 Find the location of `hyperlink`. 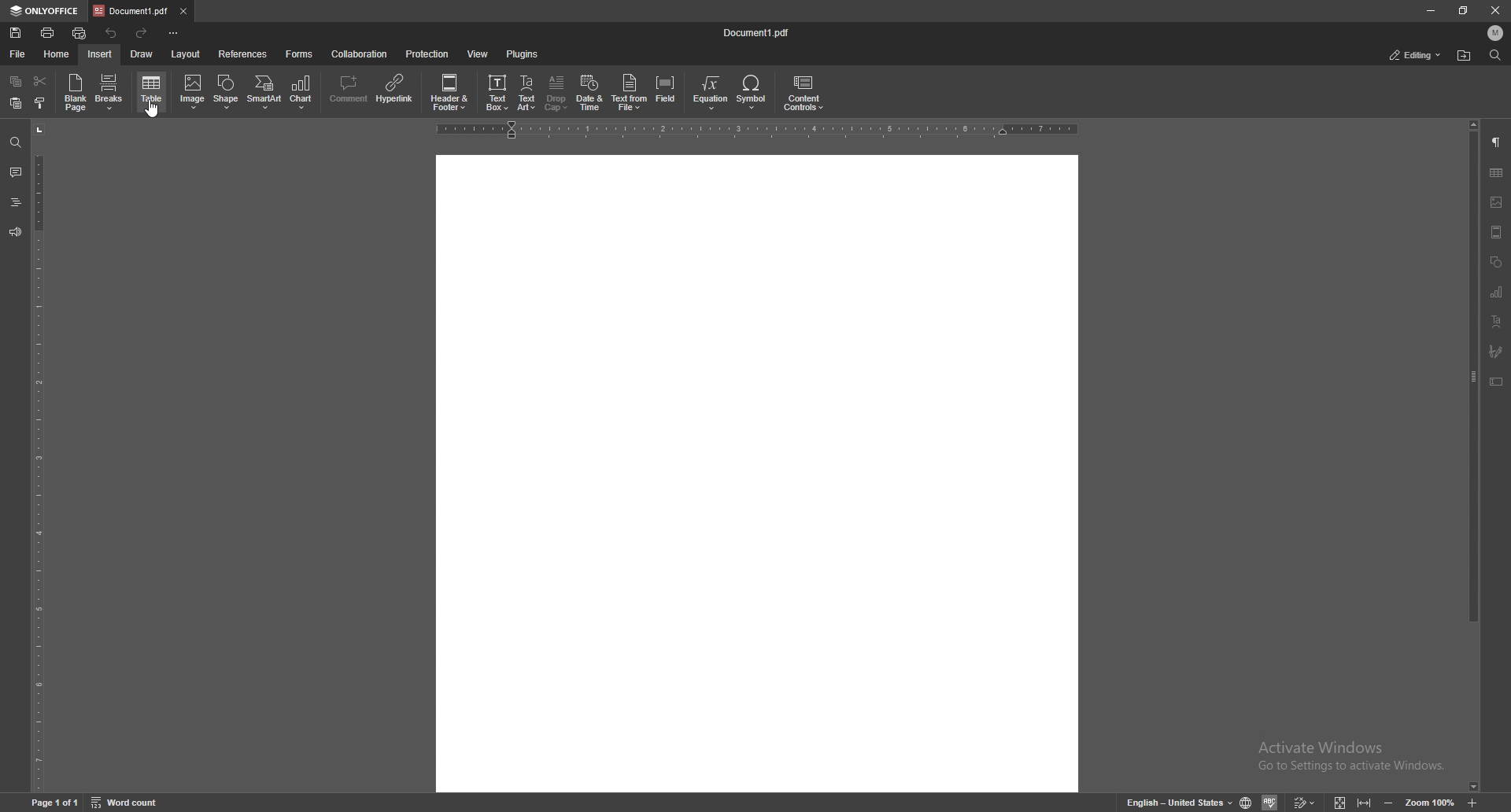

hyperlink is located at coordinates (395, 91).